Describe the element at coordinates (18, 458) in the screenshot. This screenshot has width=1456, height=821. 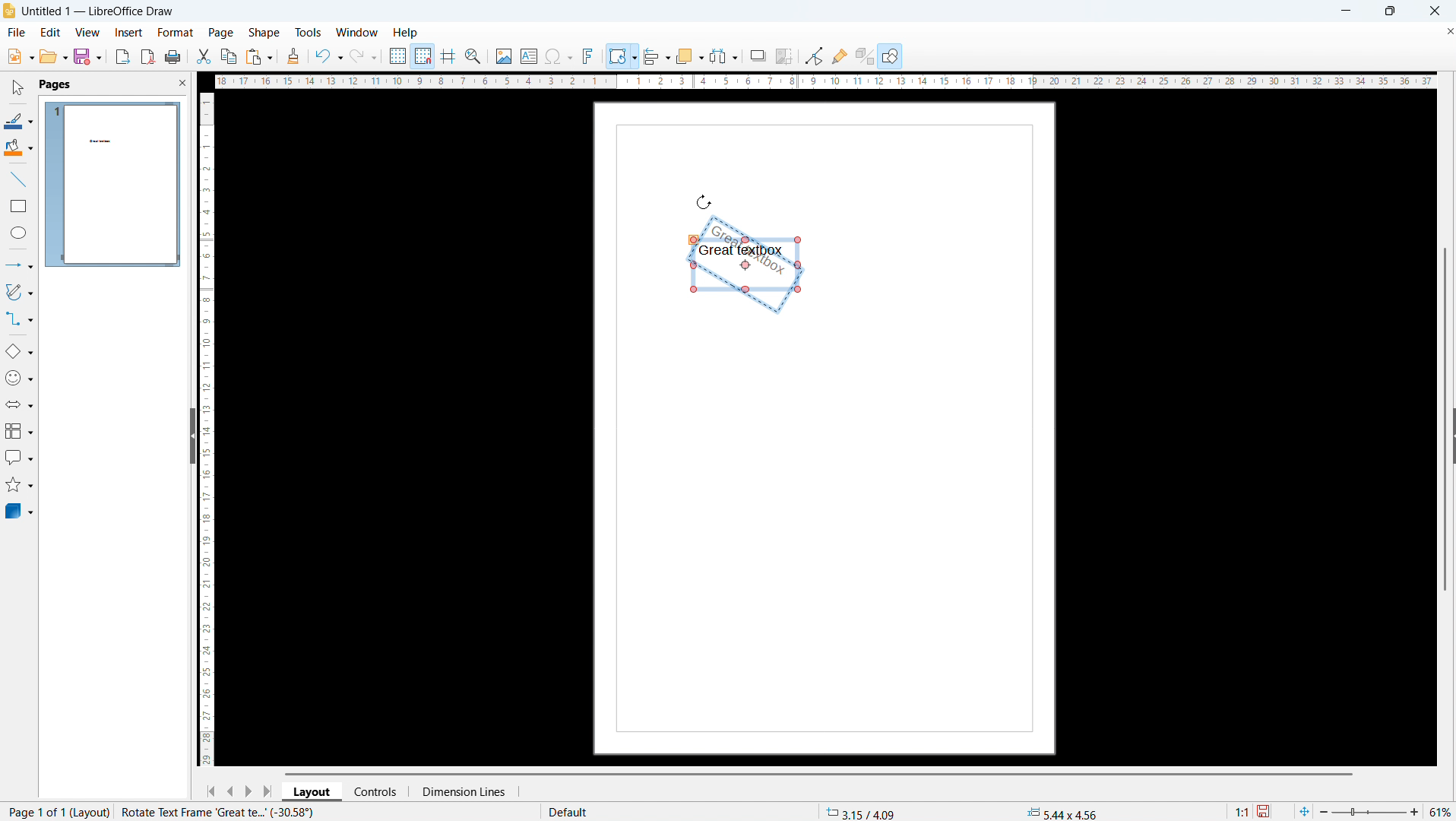
I see `callout shapes` at that location.